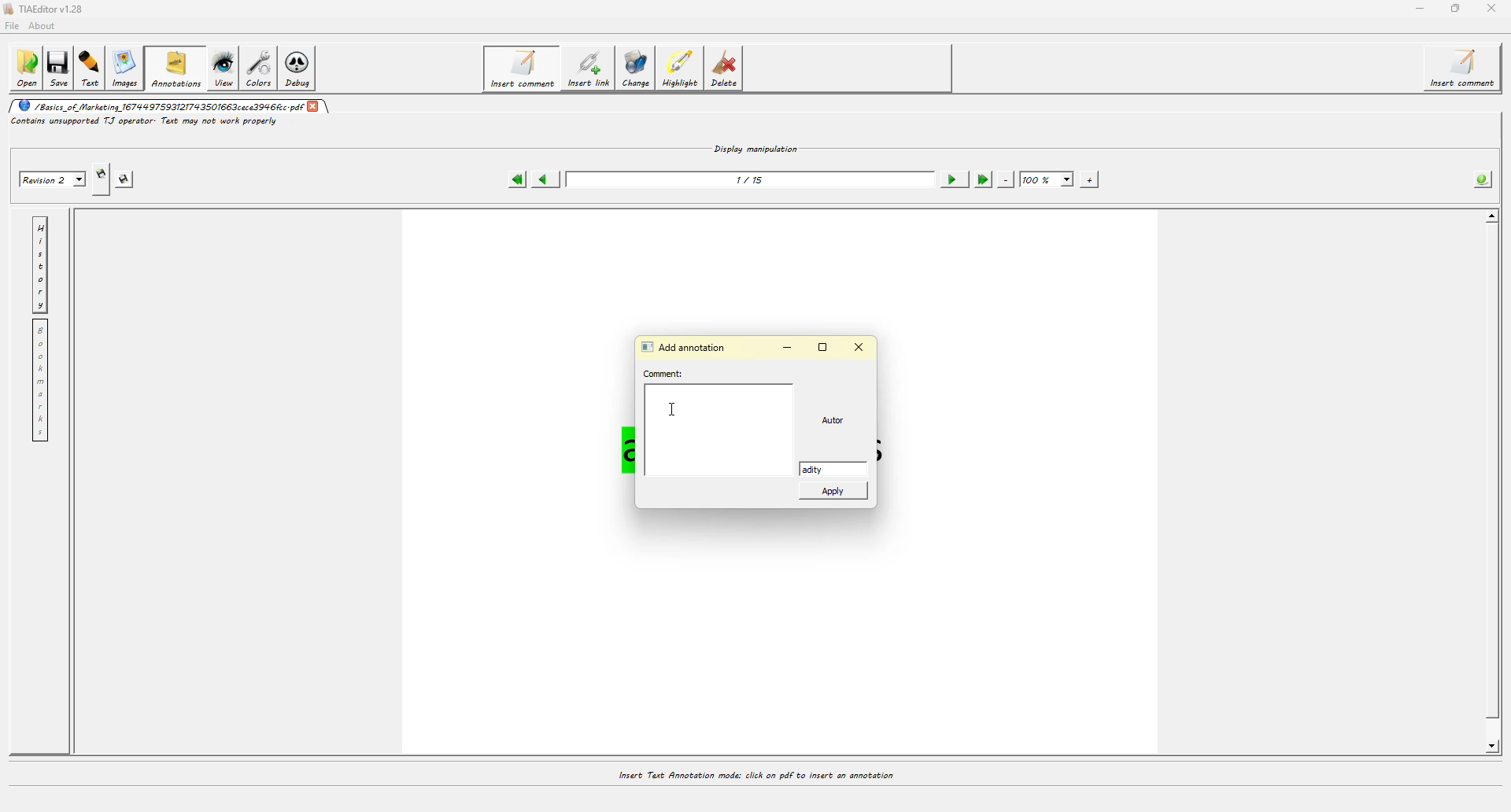 This screenshot has height=812, width=1511. I want to click on history, so click(40, 264).